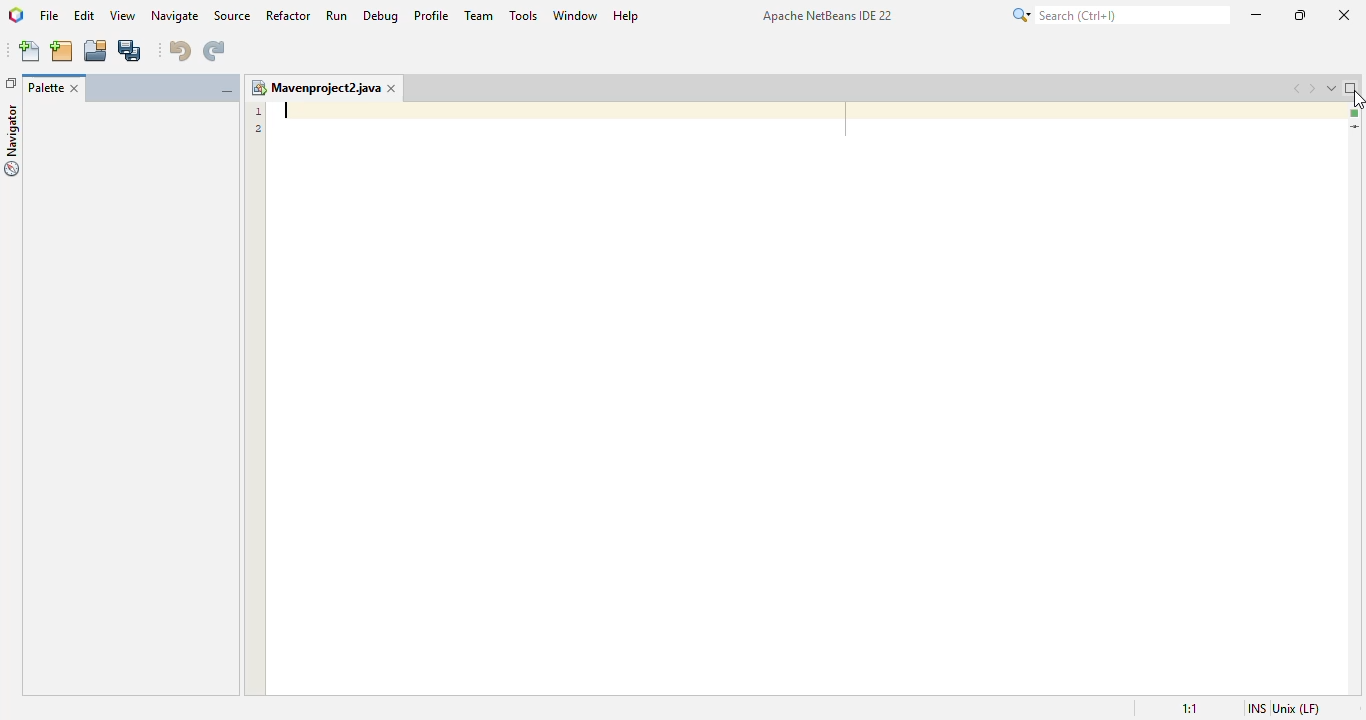 The width and height of the screenshot is (1366, 720). Describe the element at coordinates (49, 15) in the screenshot. I see `file` at that location.